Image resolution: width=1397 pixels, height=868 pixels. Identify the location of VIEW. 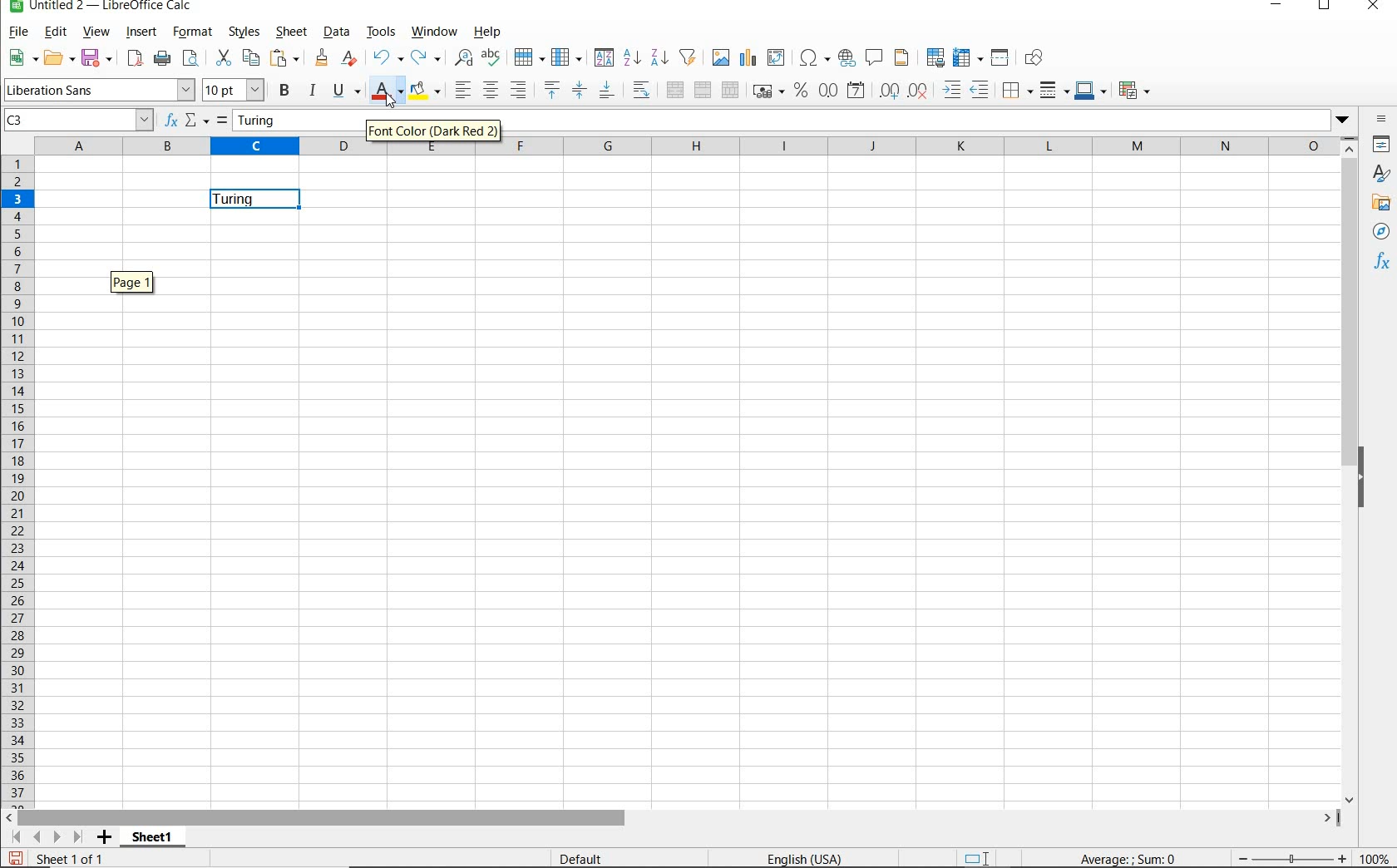
(98, 32).